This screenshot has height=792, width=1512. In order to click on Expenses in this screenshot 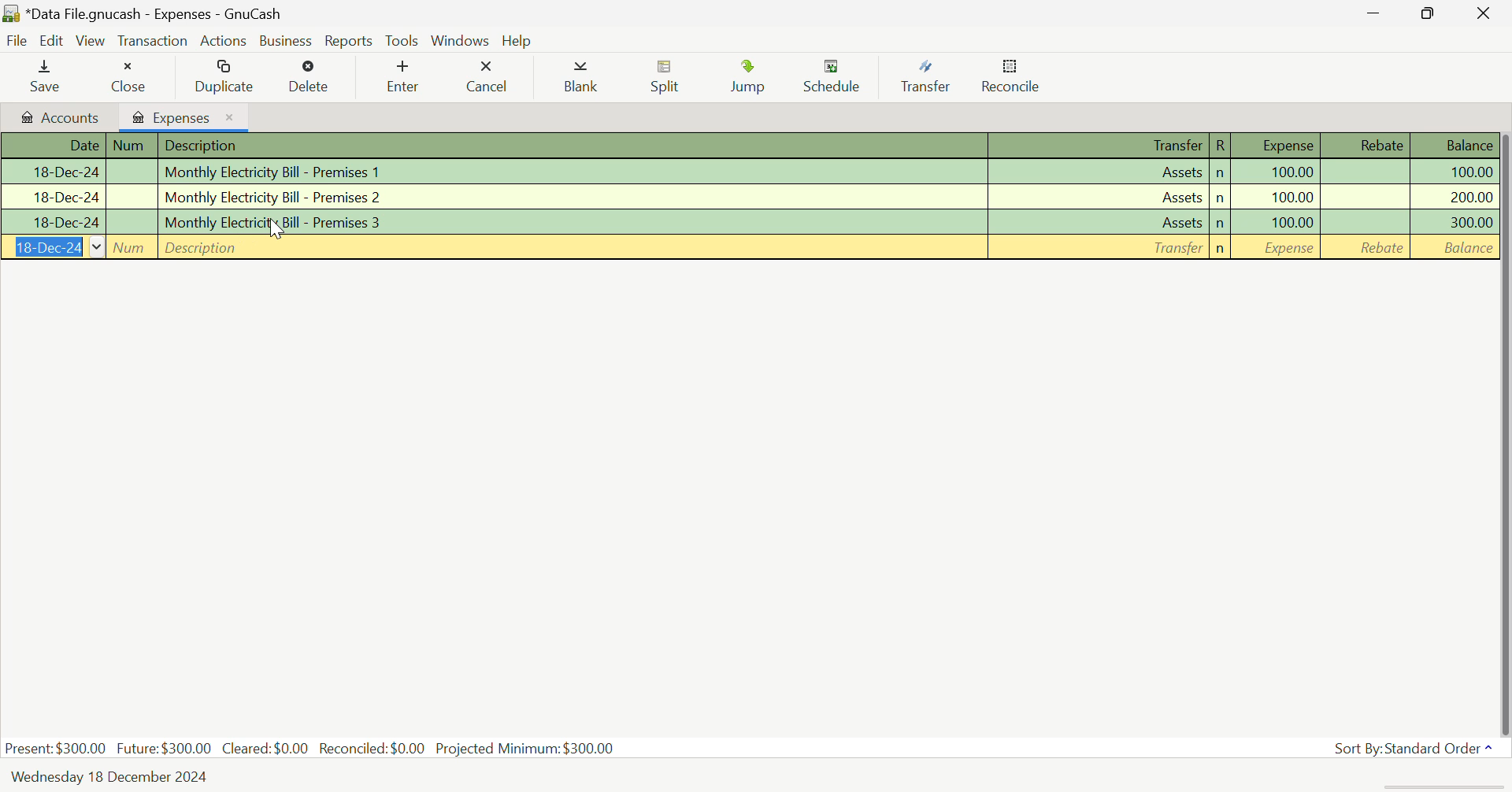, I will do `click(185, 117)`.